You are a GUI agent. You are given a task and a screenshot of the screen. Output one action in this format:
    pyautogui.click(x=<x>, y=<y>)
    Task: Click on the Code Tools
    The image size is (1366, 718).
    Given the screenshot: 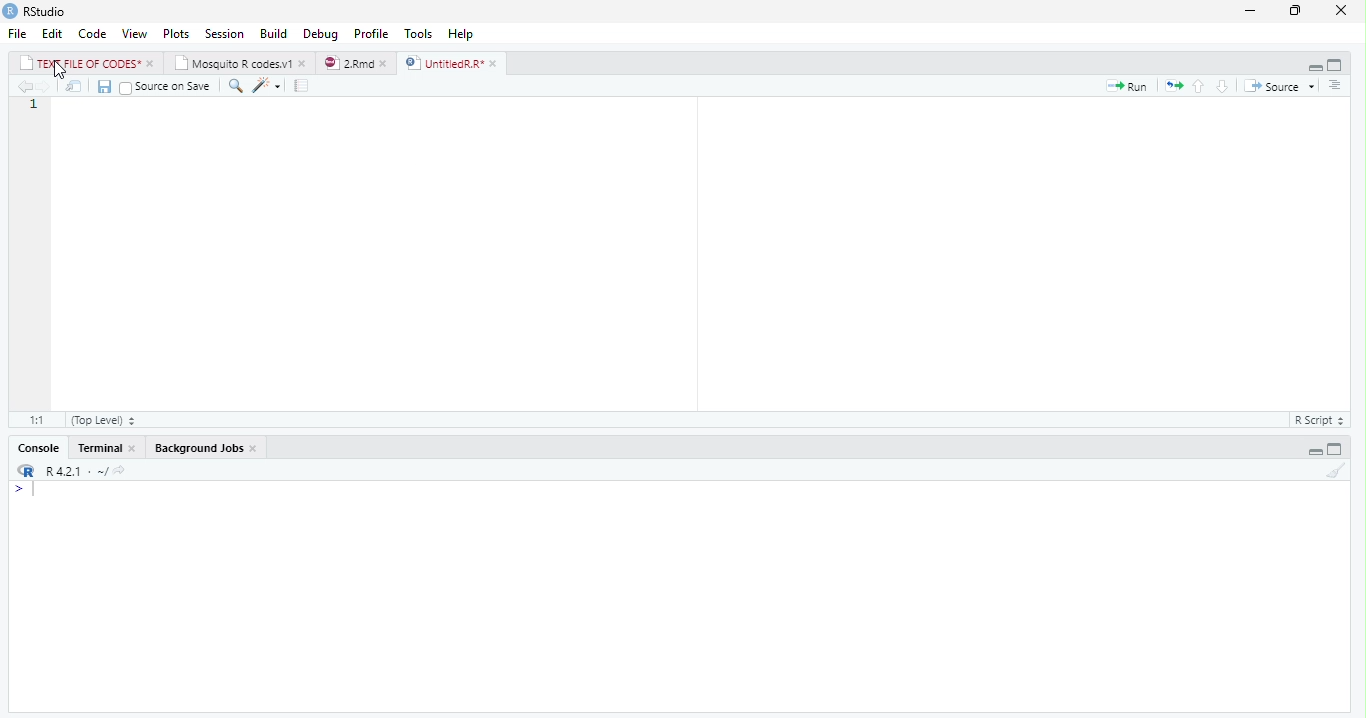 What is the action you would take?
    pyautogui.click(x=698, y=249)
    